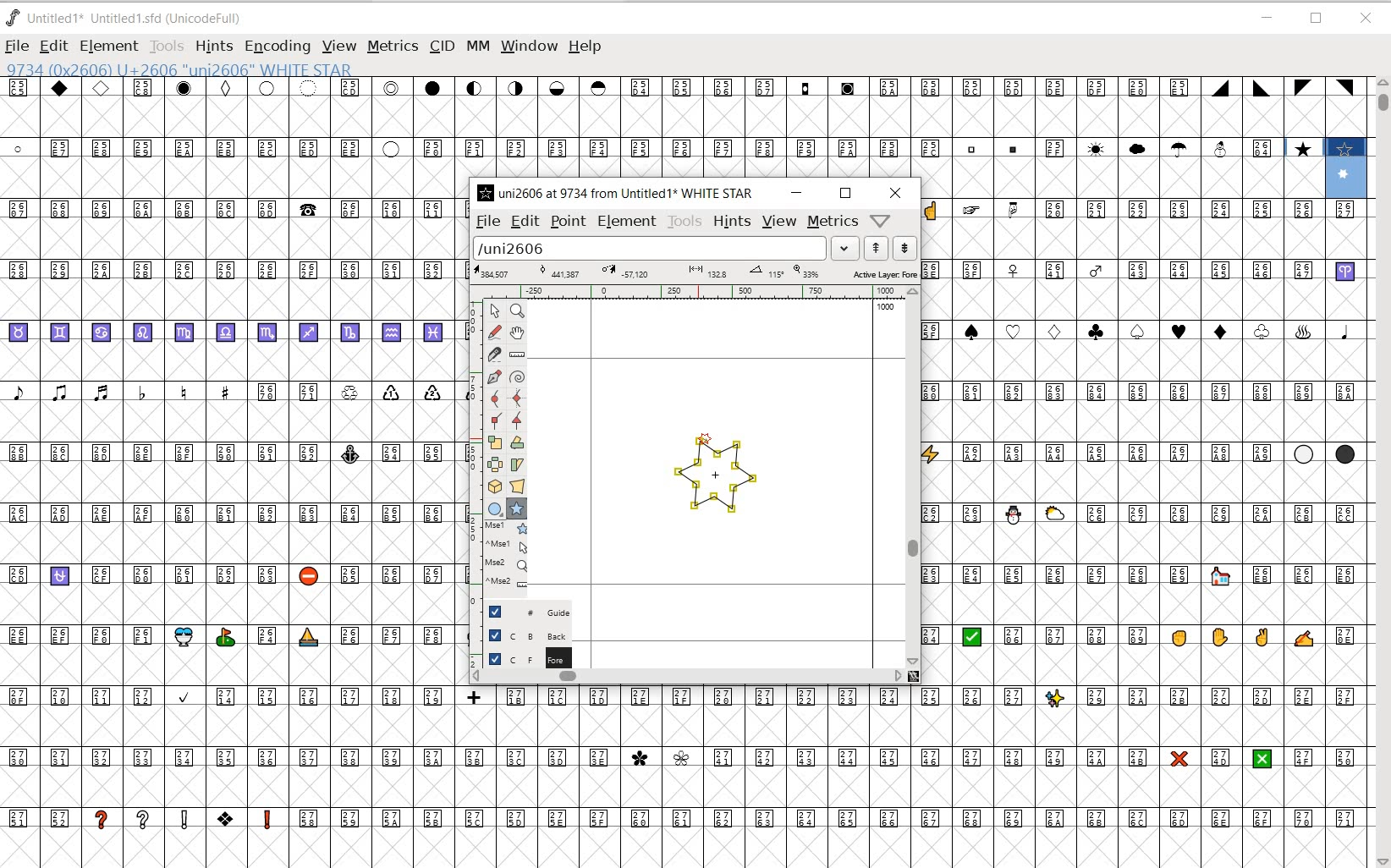 Image resolution: width=1391 pixels, height=868 pixels. Describe the element at coordinates (1318, 19) in the screenshot. I see `RESTORE` at that location.